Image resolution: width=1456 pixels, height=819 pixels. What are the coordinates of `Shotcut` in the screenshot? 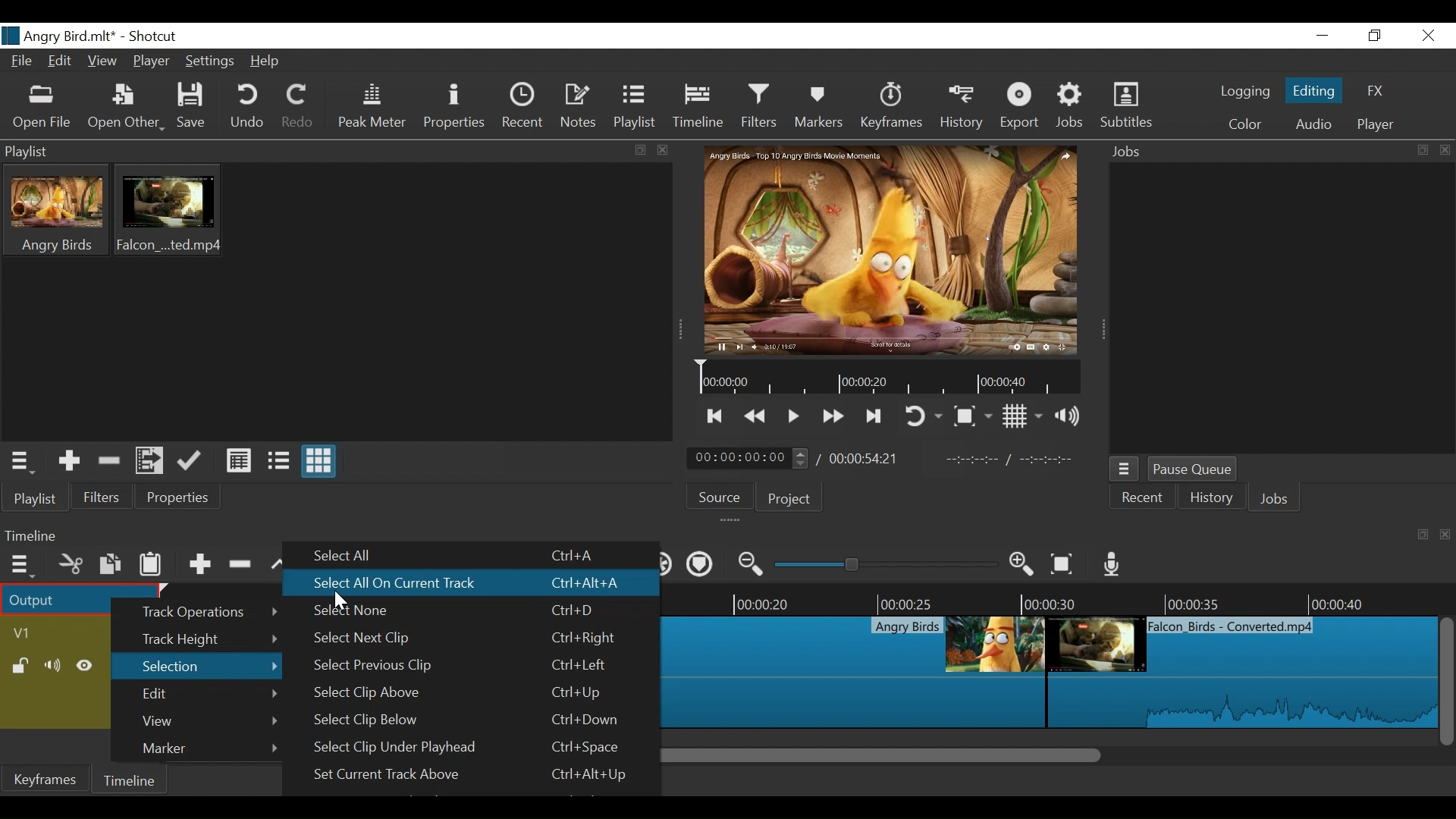 It's located at (153, 36).